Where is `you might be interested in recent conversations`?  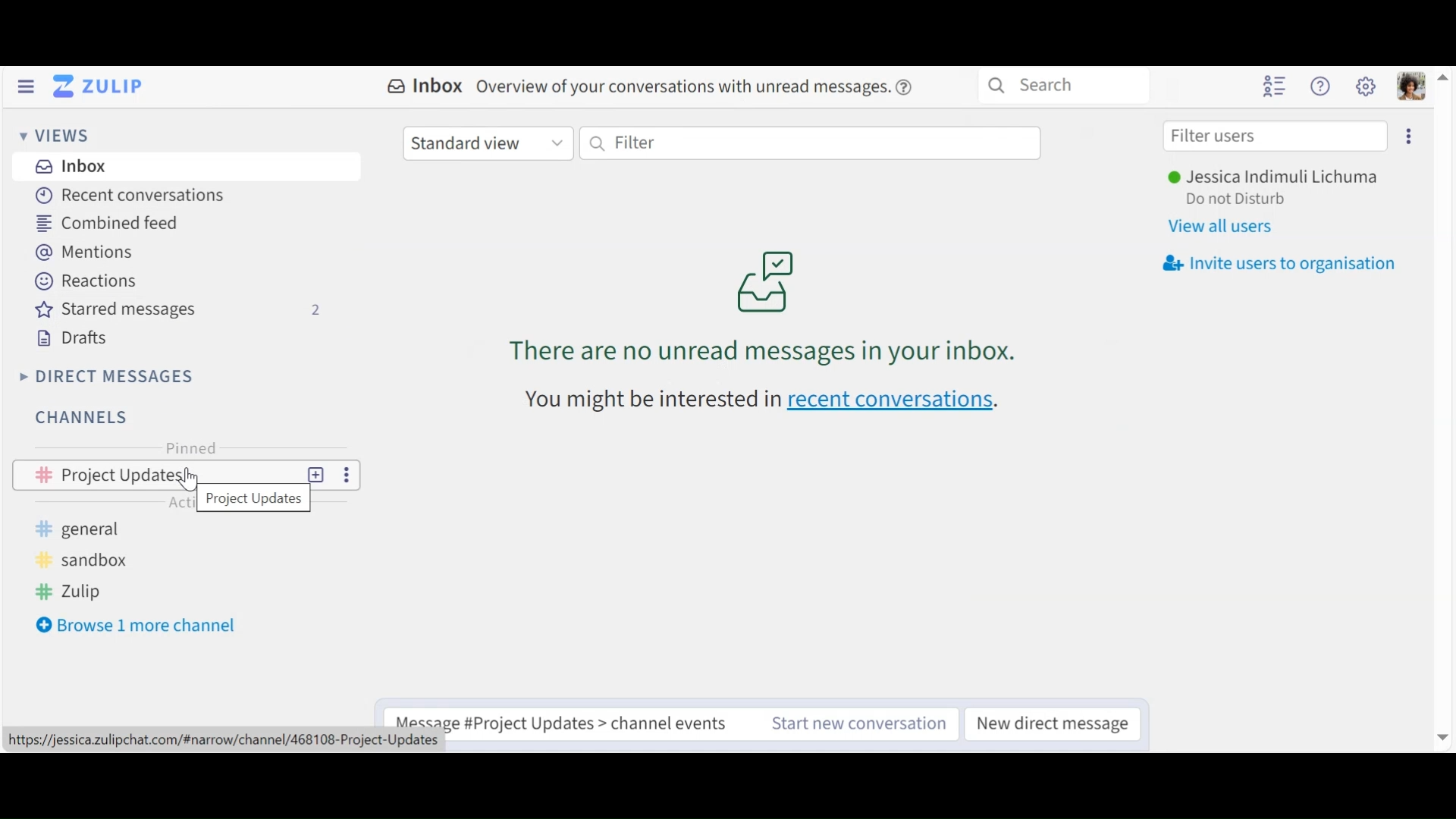 you might be interested in recent conversations is located at coordinates (767, 397).